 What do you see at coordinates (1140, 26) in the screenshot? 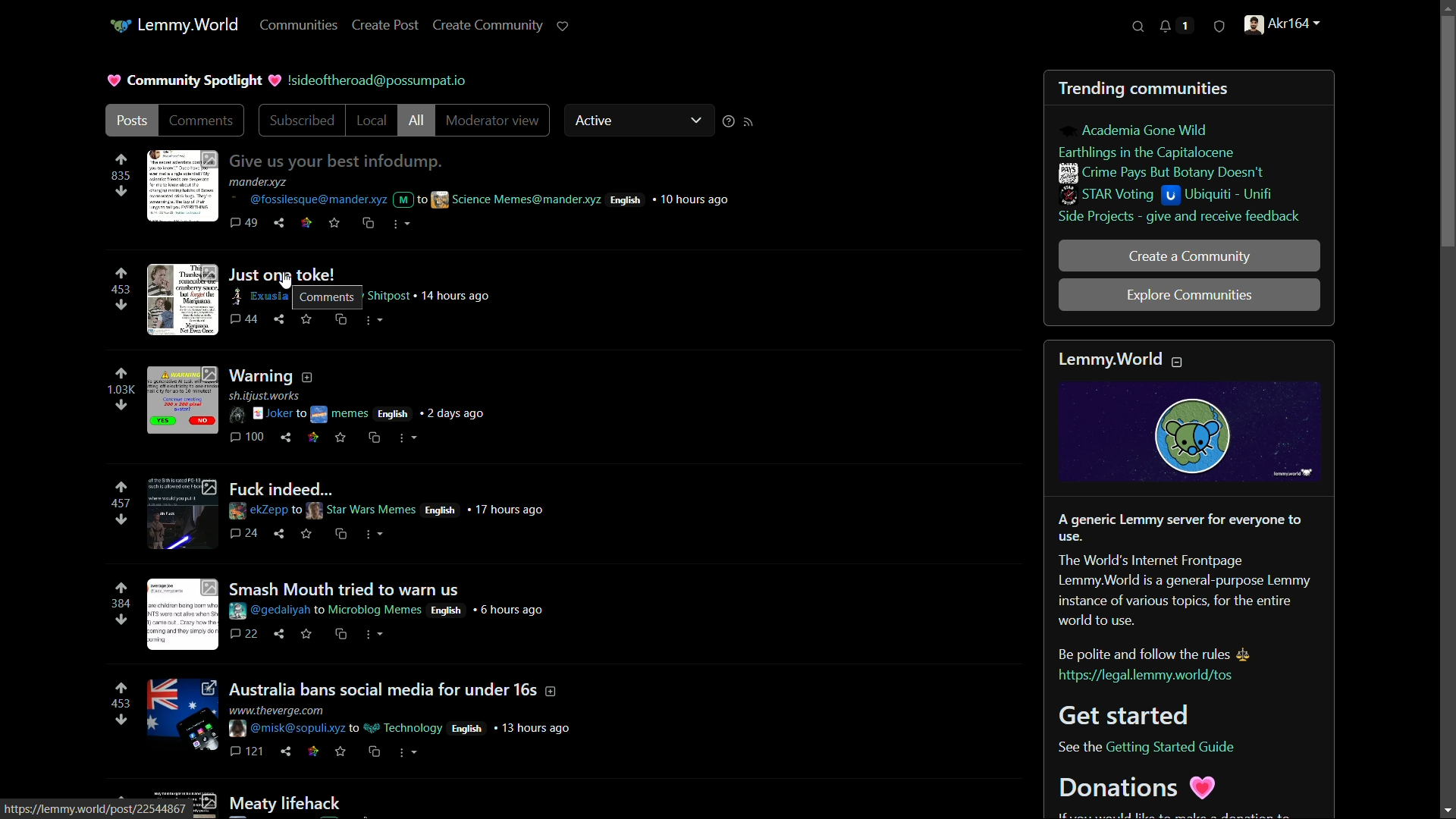
I see `search ` at bounding box center [1140, 26].